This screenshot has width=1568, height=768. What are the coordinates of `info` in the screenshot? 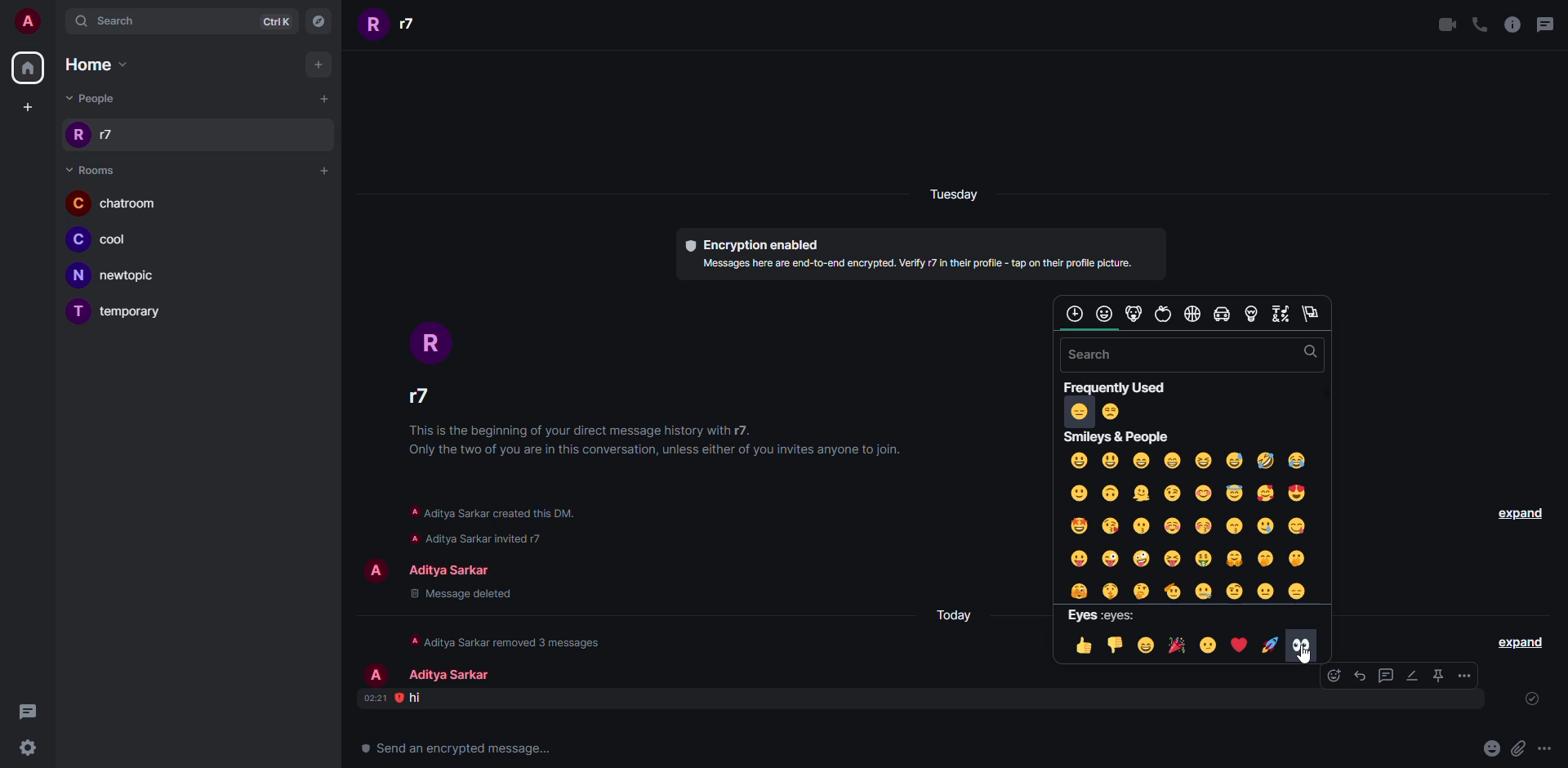 It's located at (1512, 25).